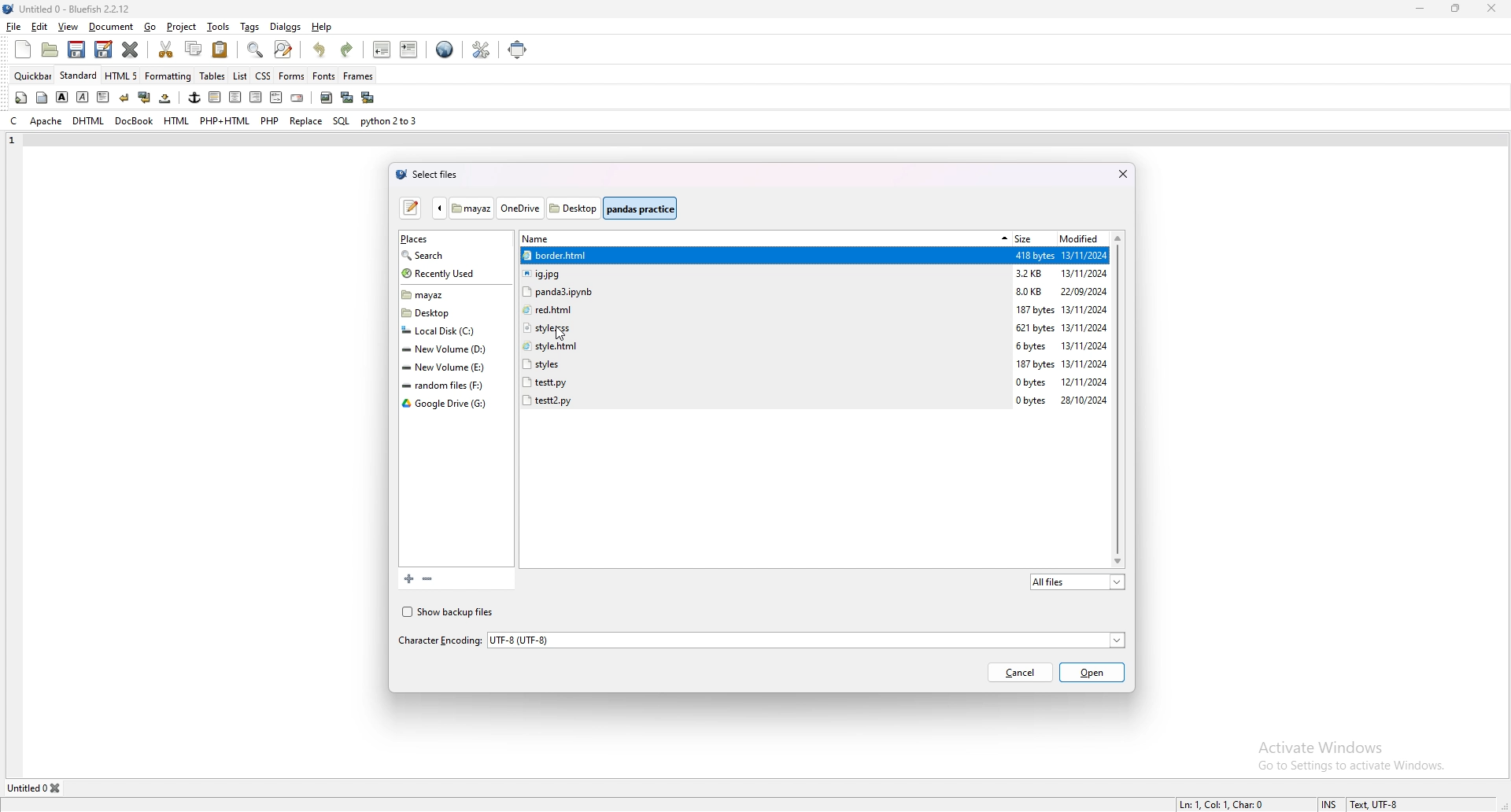 The height and width of the screenshot is (812, 1511). Describe the element at coordinates (321, 50) in the screenshot. I see `undo` at that location.